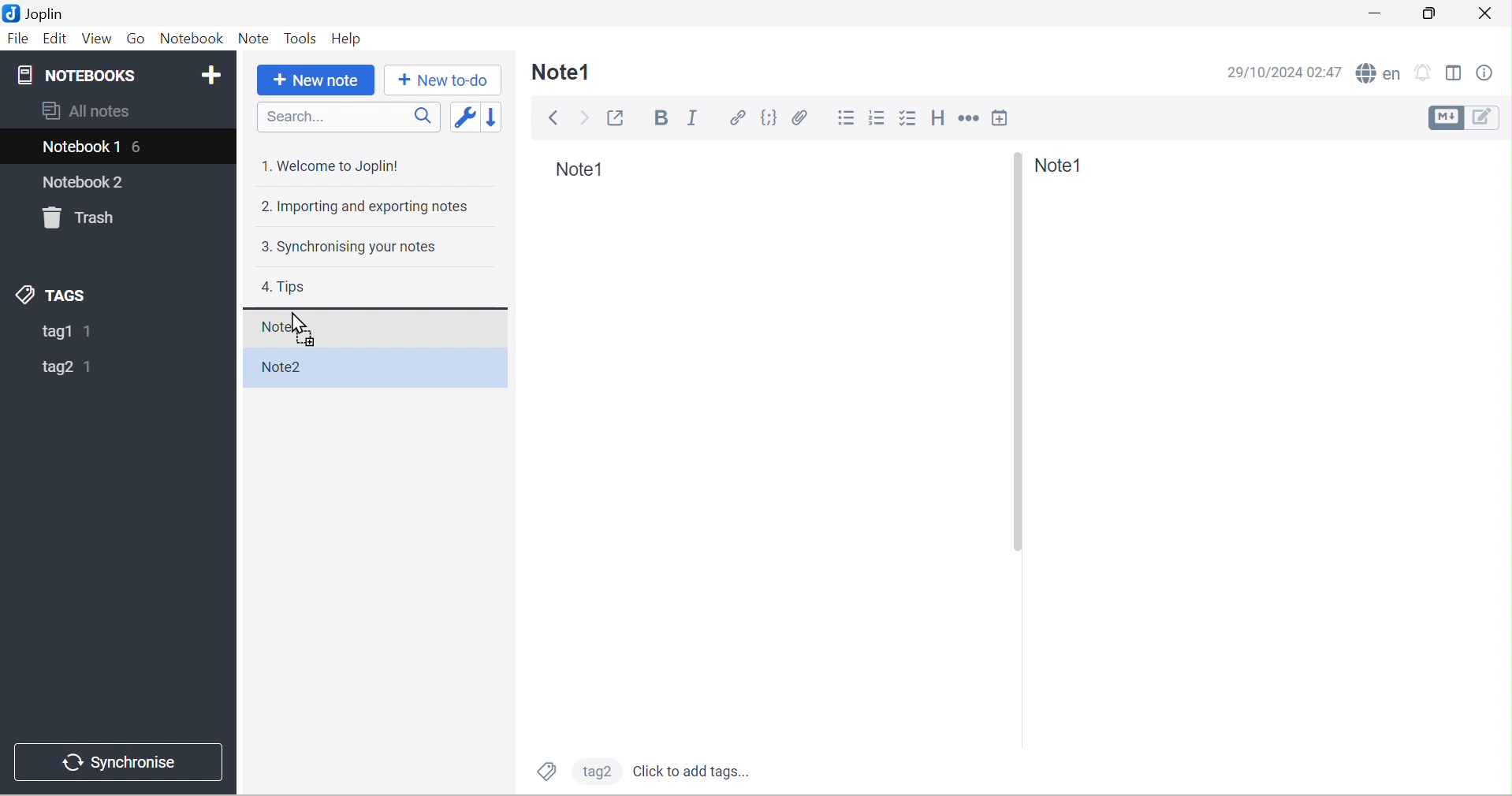 The height and width of the screenshot is (796, 1512). Describe the element at coordinates (99, 39) in the screenshot. I see `View` at that location.